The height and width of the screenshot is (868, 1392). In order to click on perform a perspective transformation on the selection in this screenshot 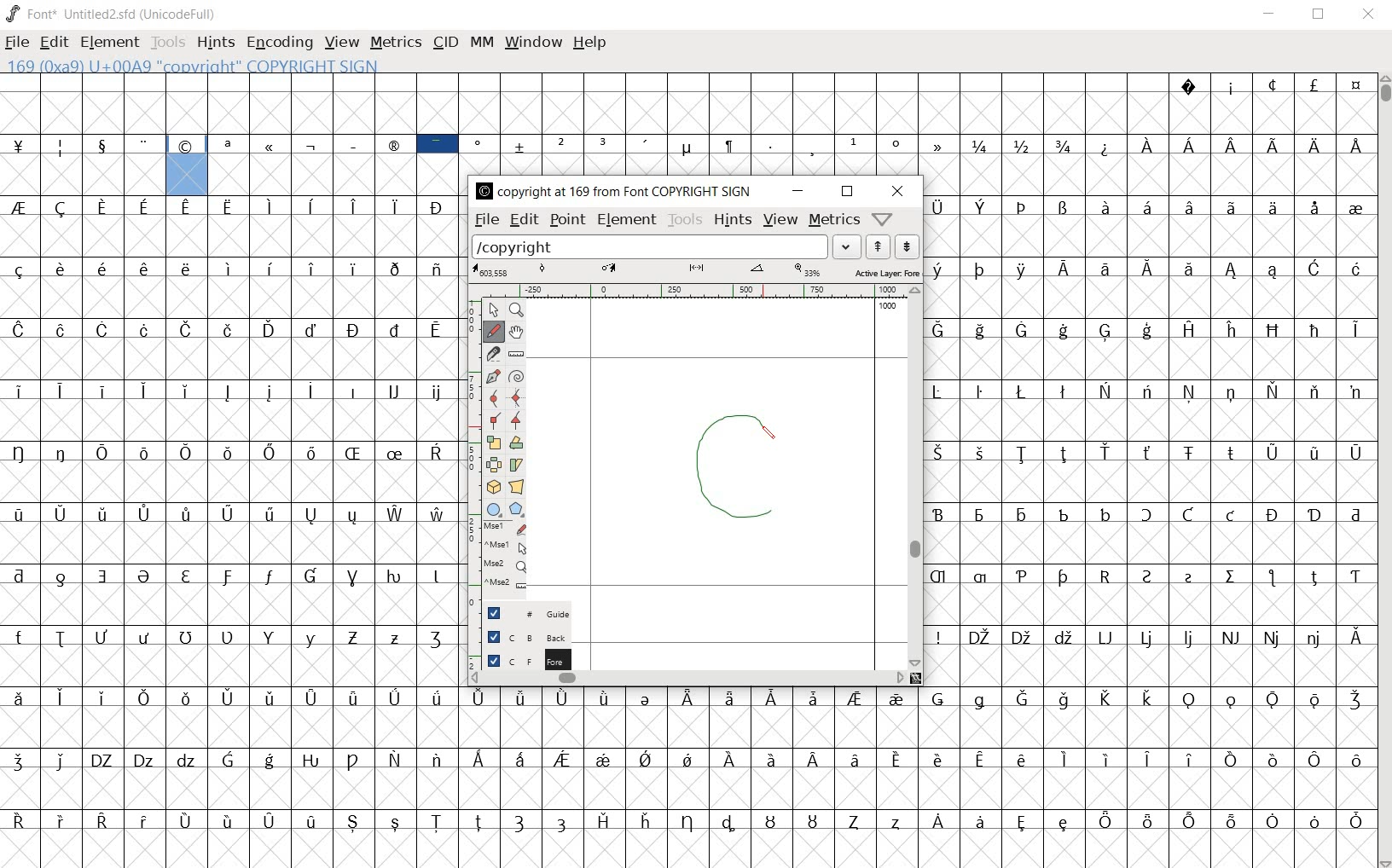, I will do `click(517, 488)`.